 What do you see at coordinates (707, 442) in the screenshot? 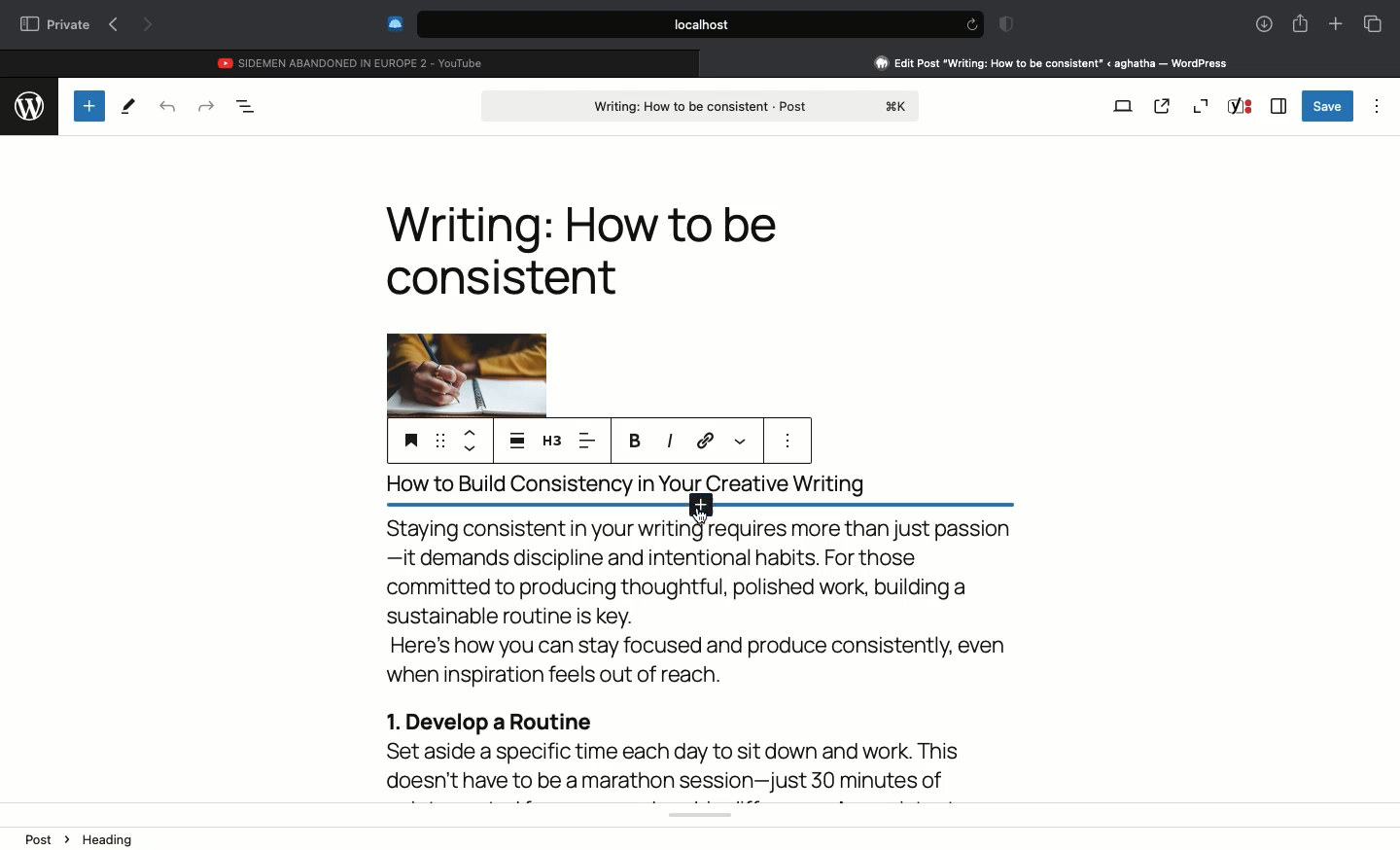
I see `Link` at bounding box center [707, 442].